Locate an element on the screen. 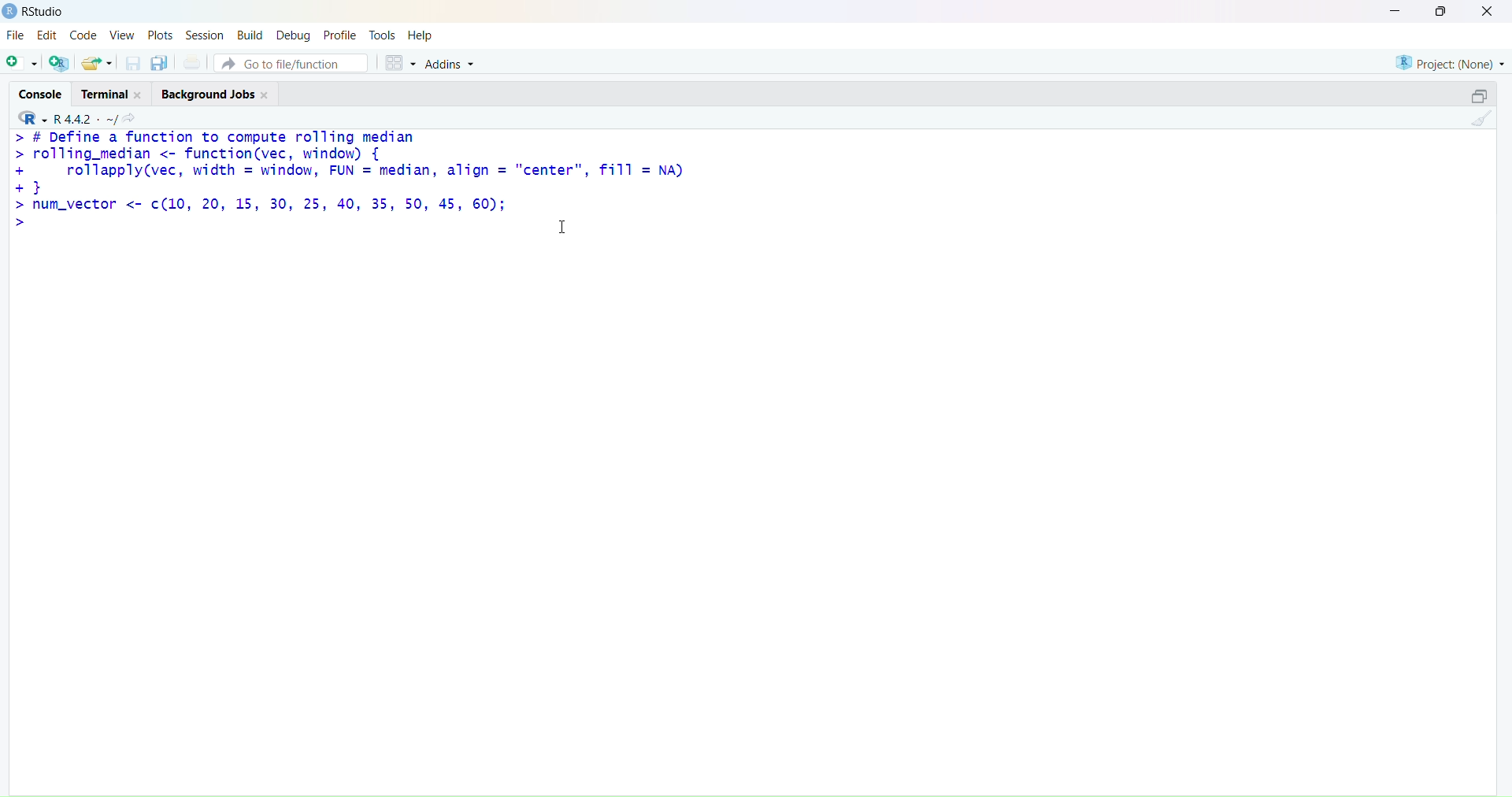  view is located at coordinates (122, 36).